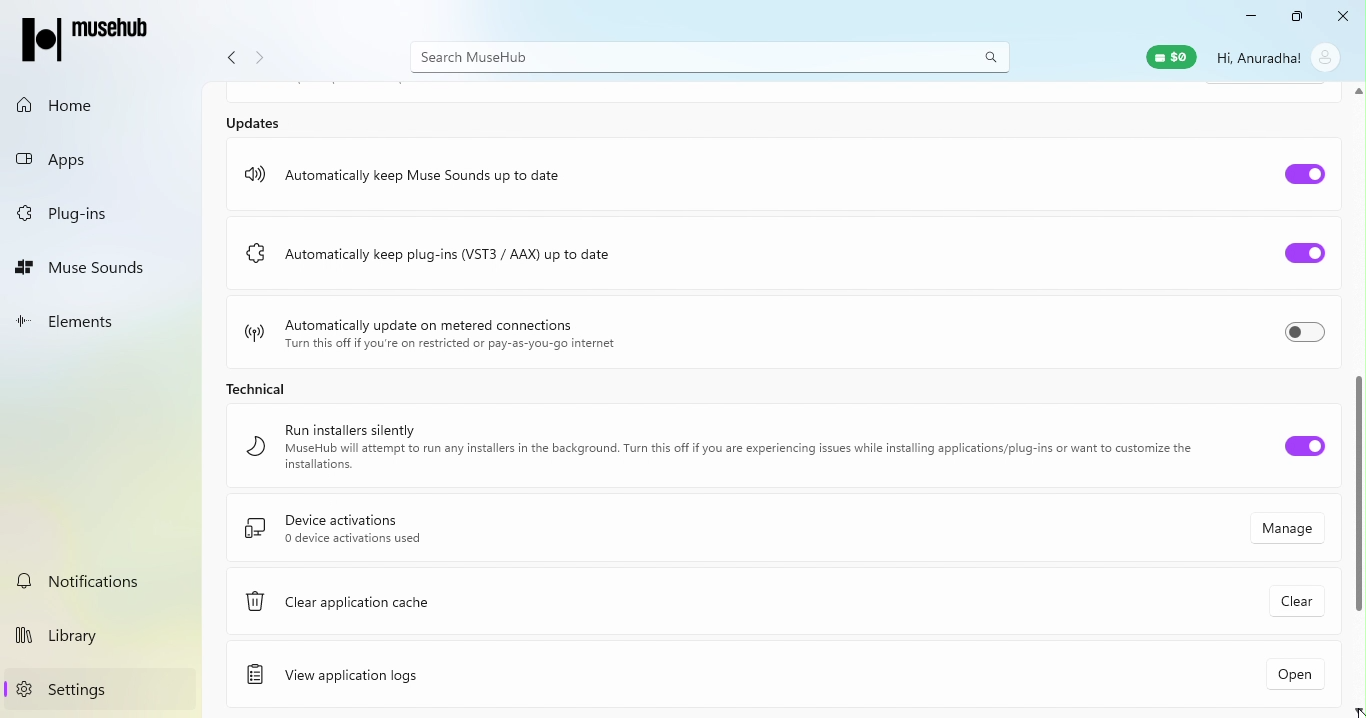 This screenshot has width=1366, height=718. I want to click on Notifications, so click(104, 580).